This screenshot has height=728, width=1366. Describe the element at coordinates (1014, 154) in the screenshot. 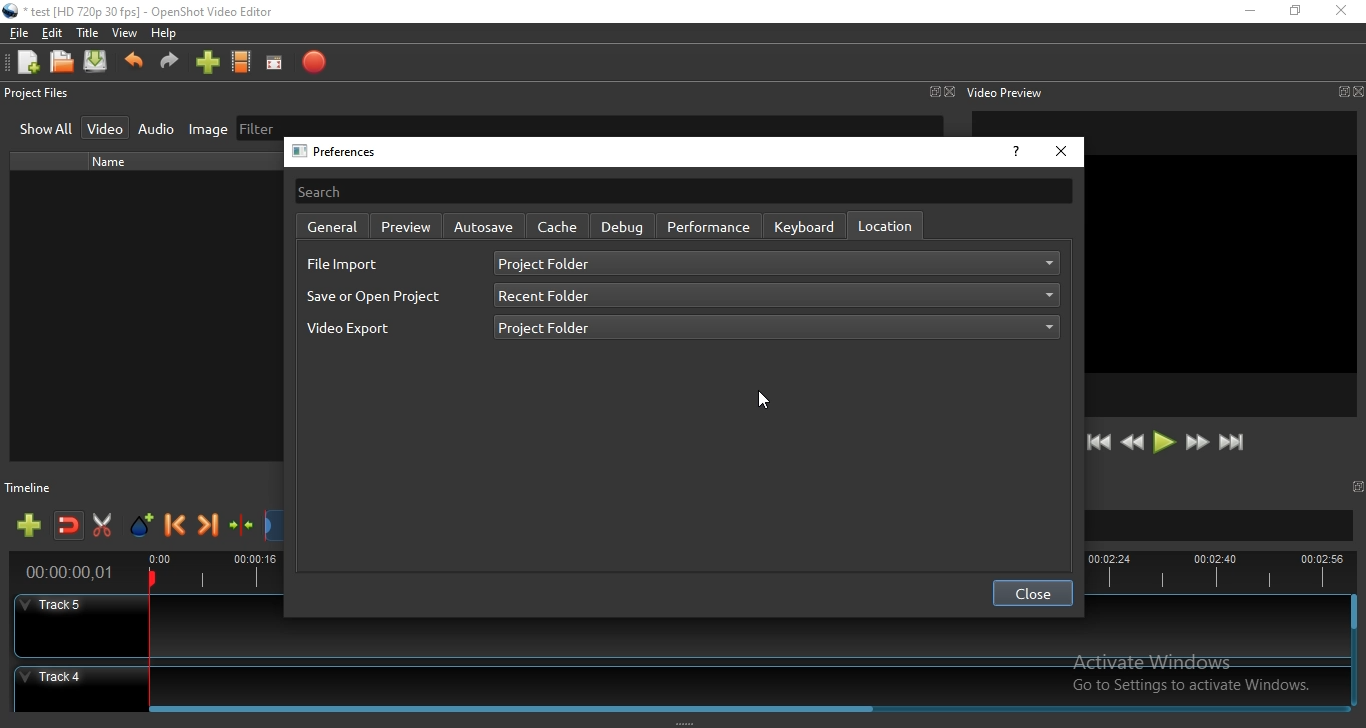

I see `help` at that location.